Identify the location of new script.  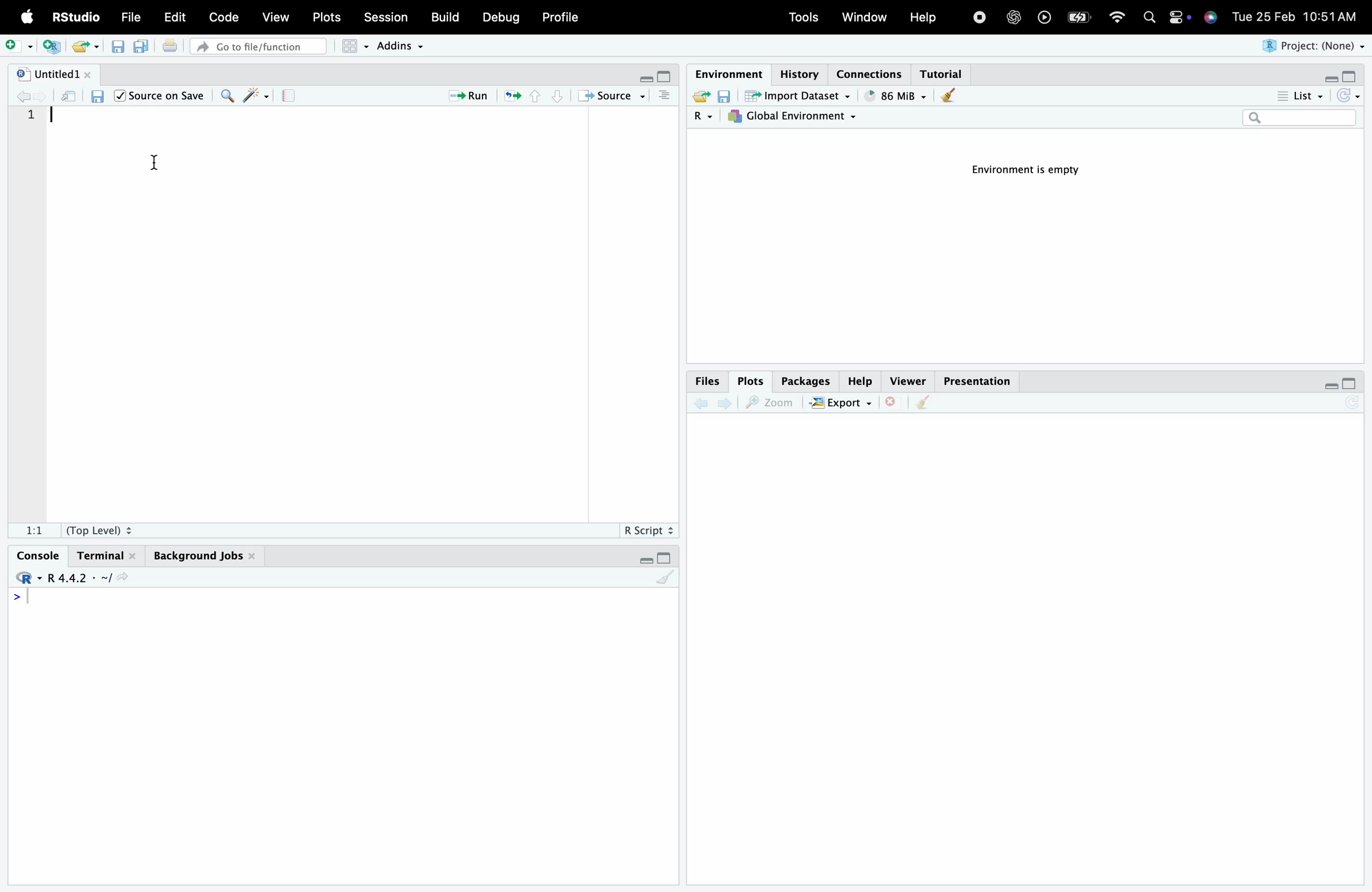
(54, 47).